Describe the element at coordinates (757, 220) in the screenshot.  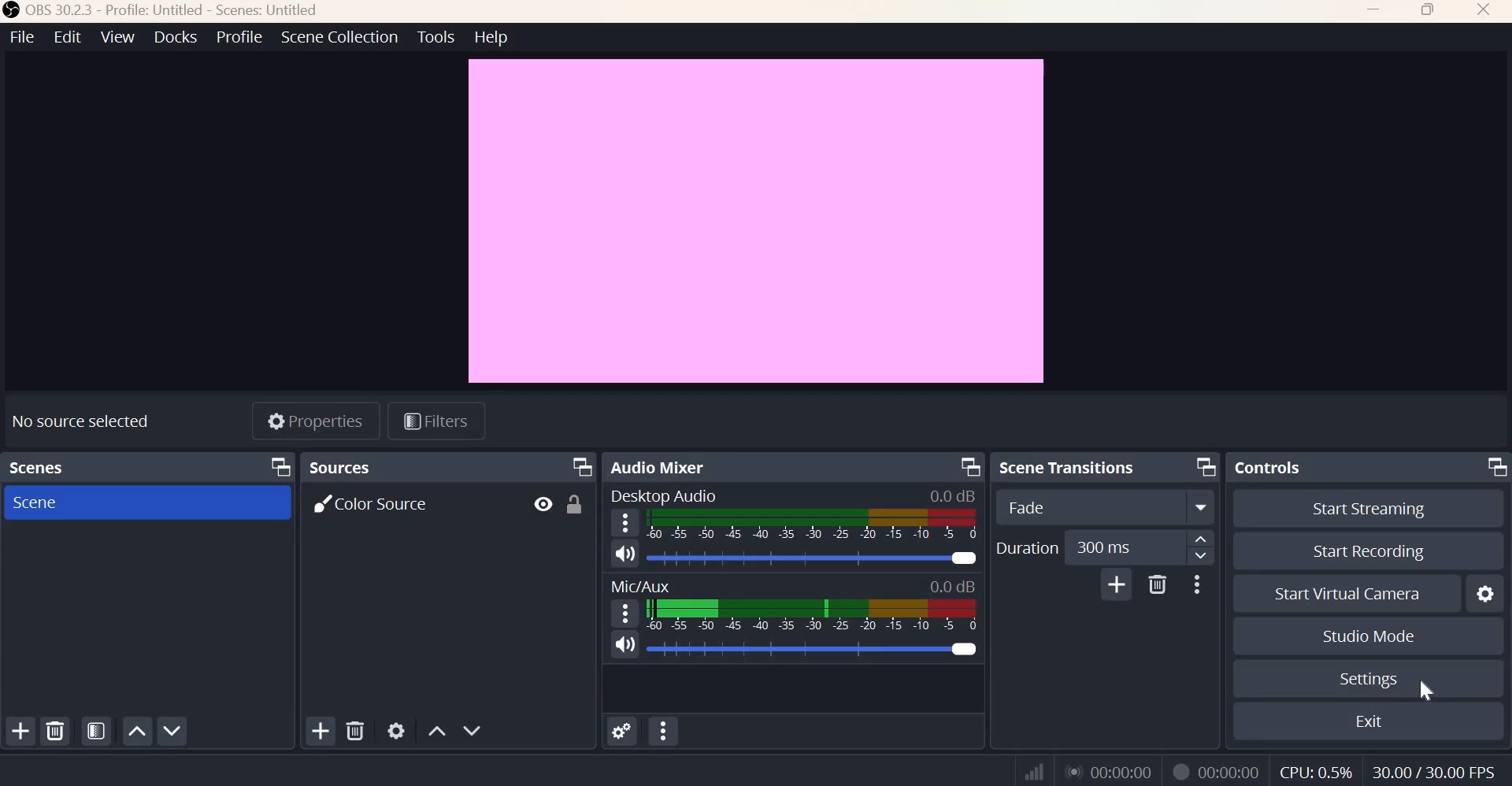
I see `canvas` at that location.